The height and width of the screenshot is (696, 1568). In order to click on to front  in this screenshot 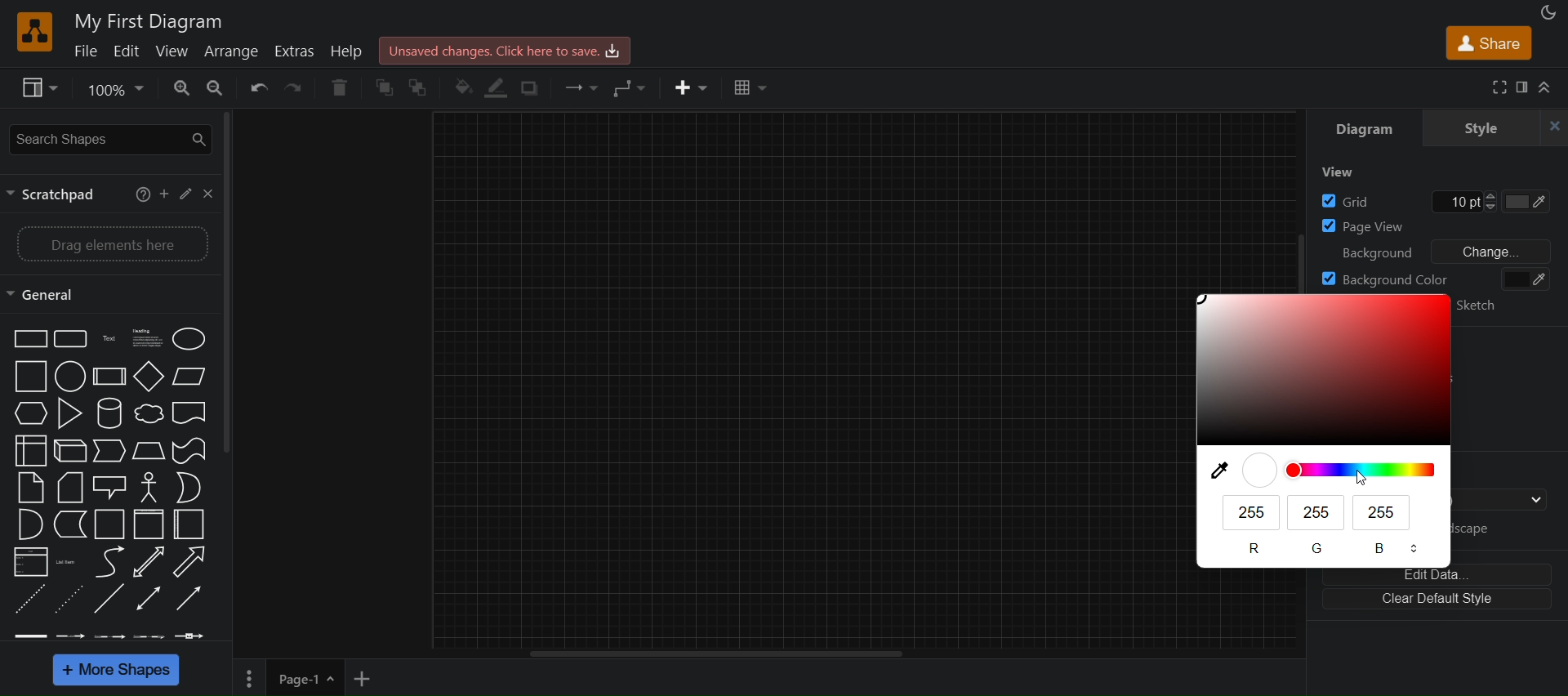, I will do `click(385, 87)`.